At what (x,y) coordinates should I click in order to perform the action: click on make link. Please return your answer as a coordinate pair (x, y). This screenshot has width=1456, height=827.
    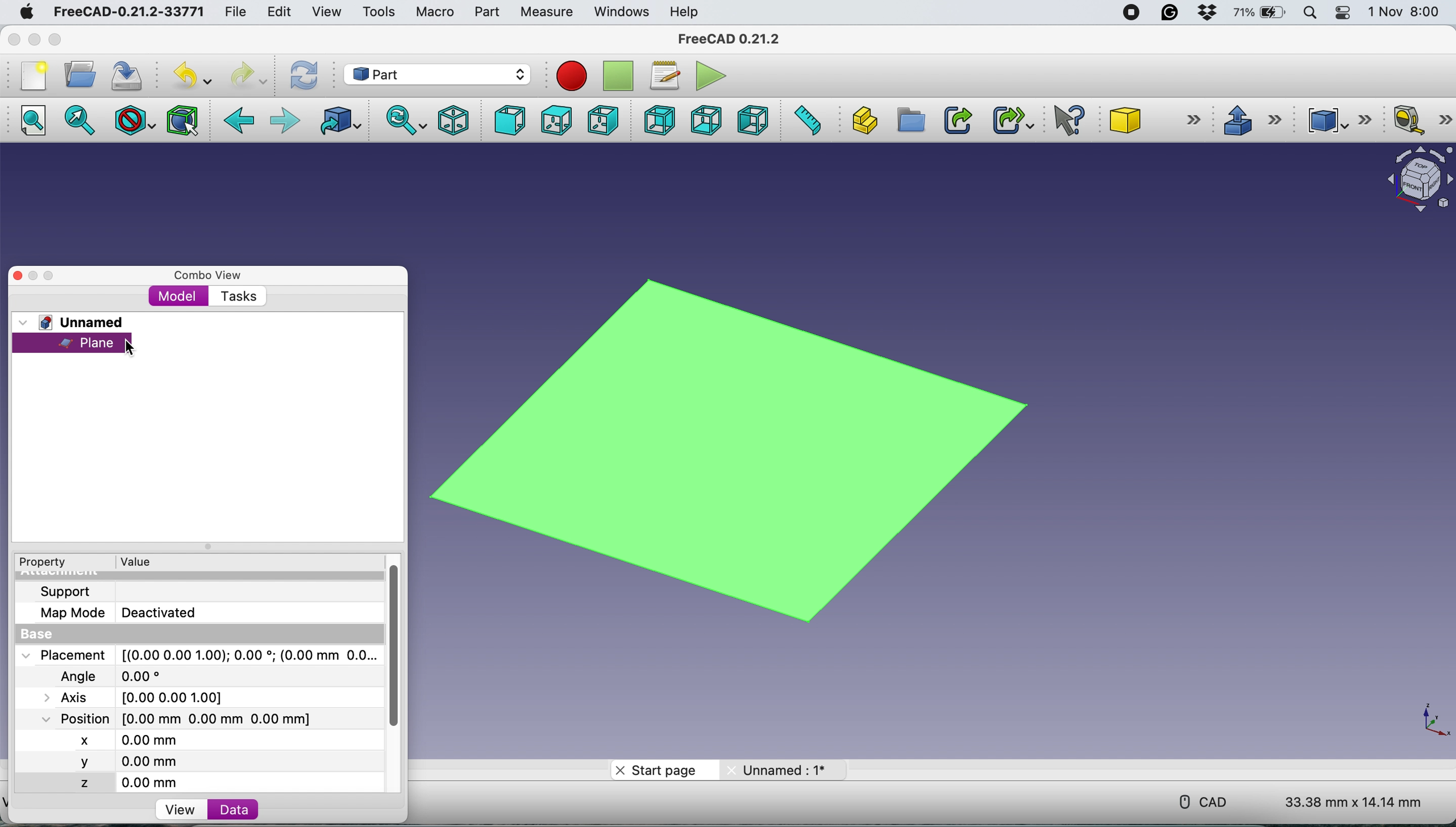
    Looking at the image, I should click on (959, 122).